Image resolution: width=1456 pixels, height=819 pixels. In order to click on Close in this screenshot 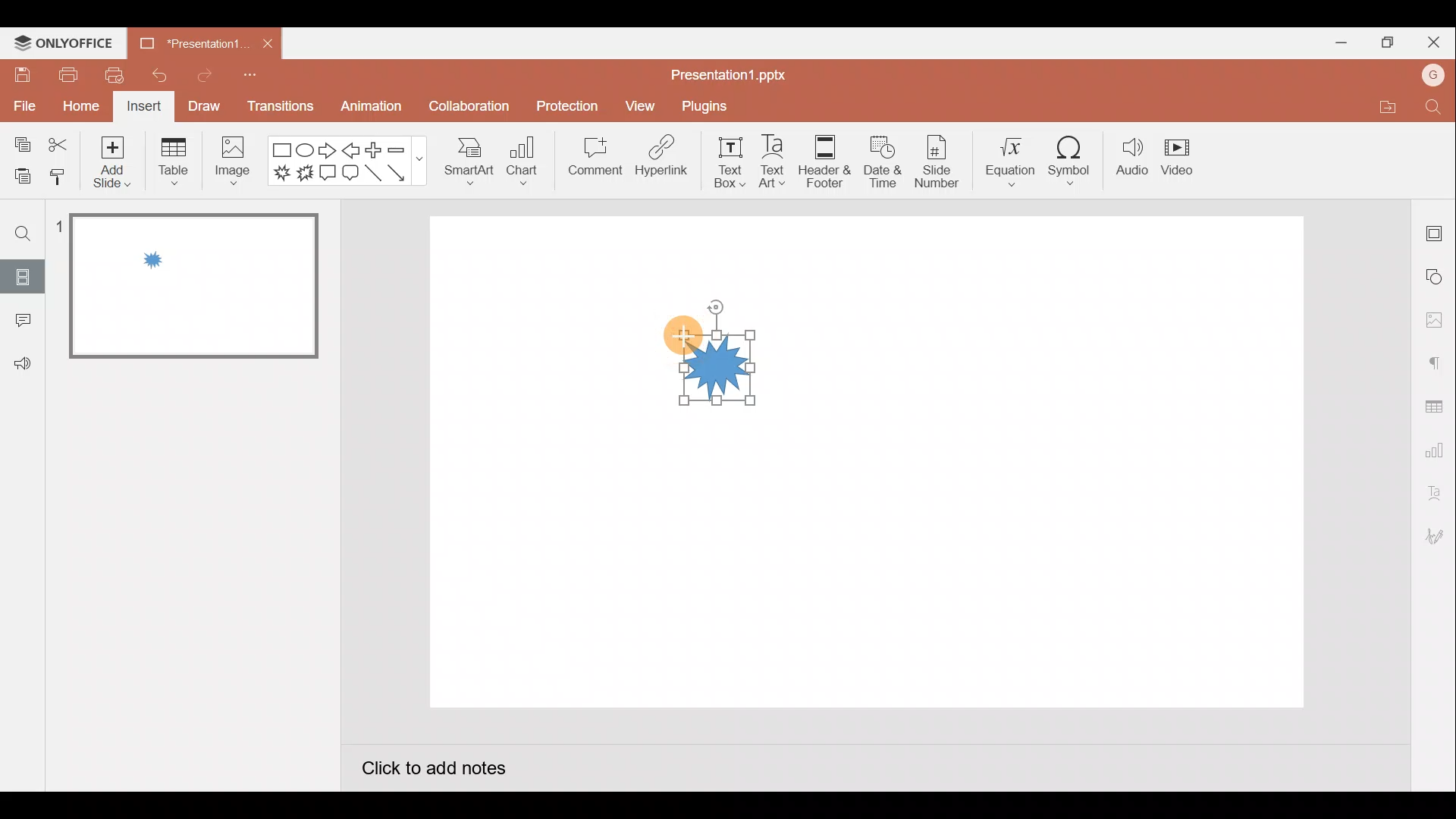, I will do `click(268, 42)`.